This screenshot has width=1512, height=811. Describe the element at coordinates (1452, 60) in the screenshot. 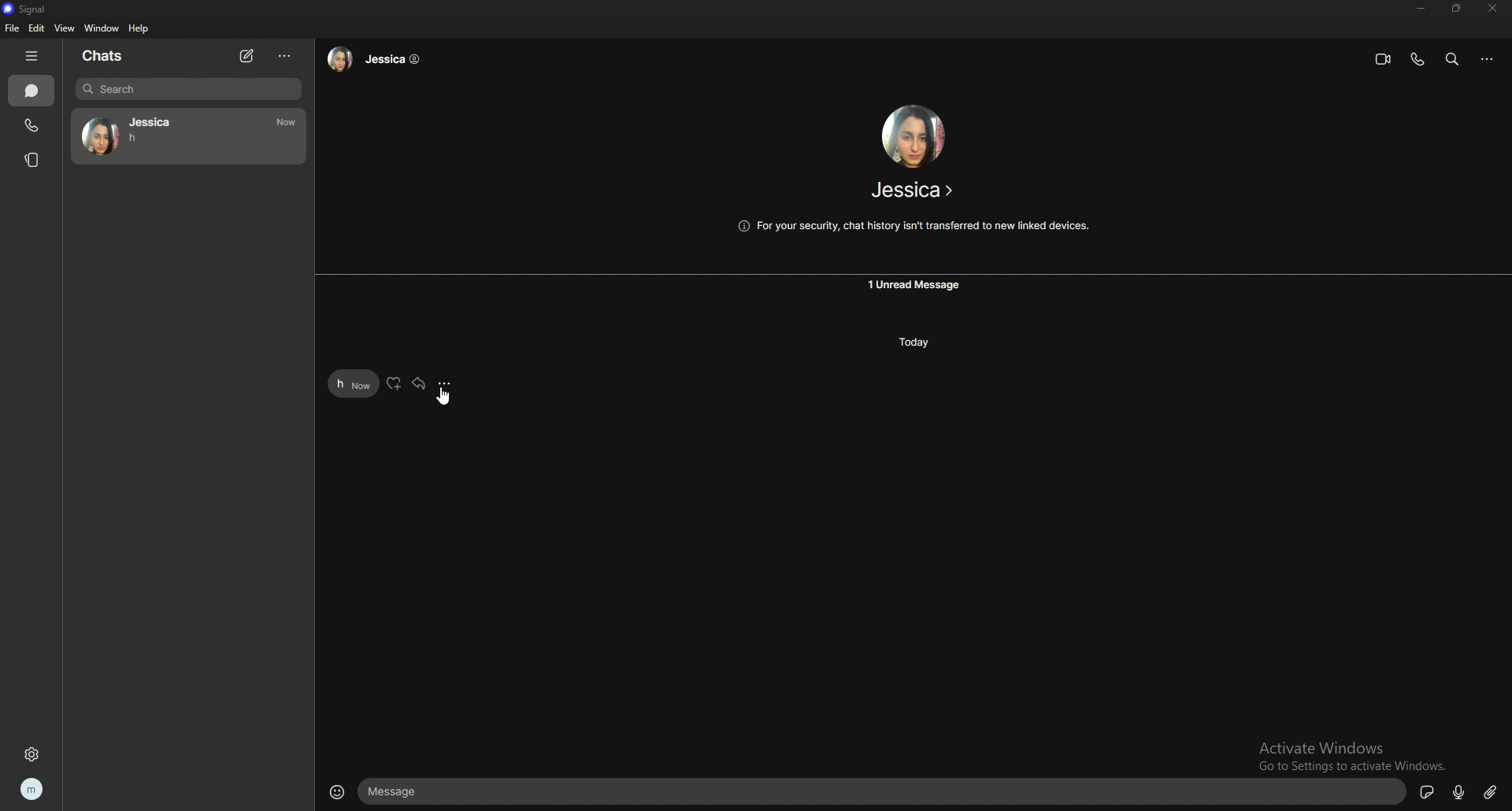

I see `search messages` at that location.